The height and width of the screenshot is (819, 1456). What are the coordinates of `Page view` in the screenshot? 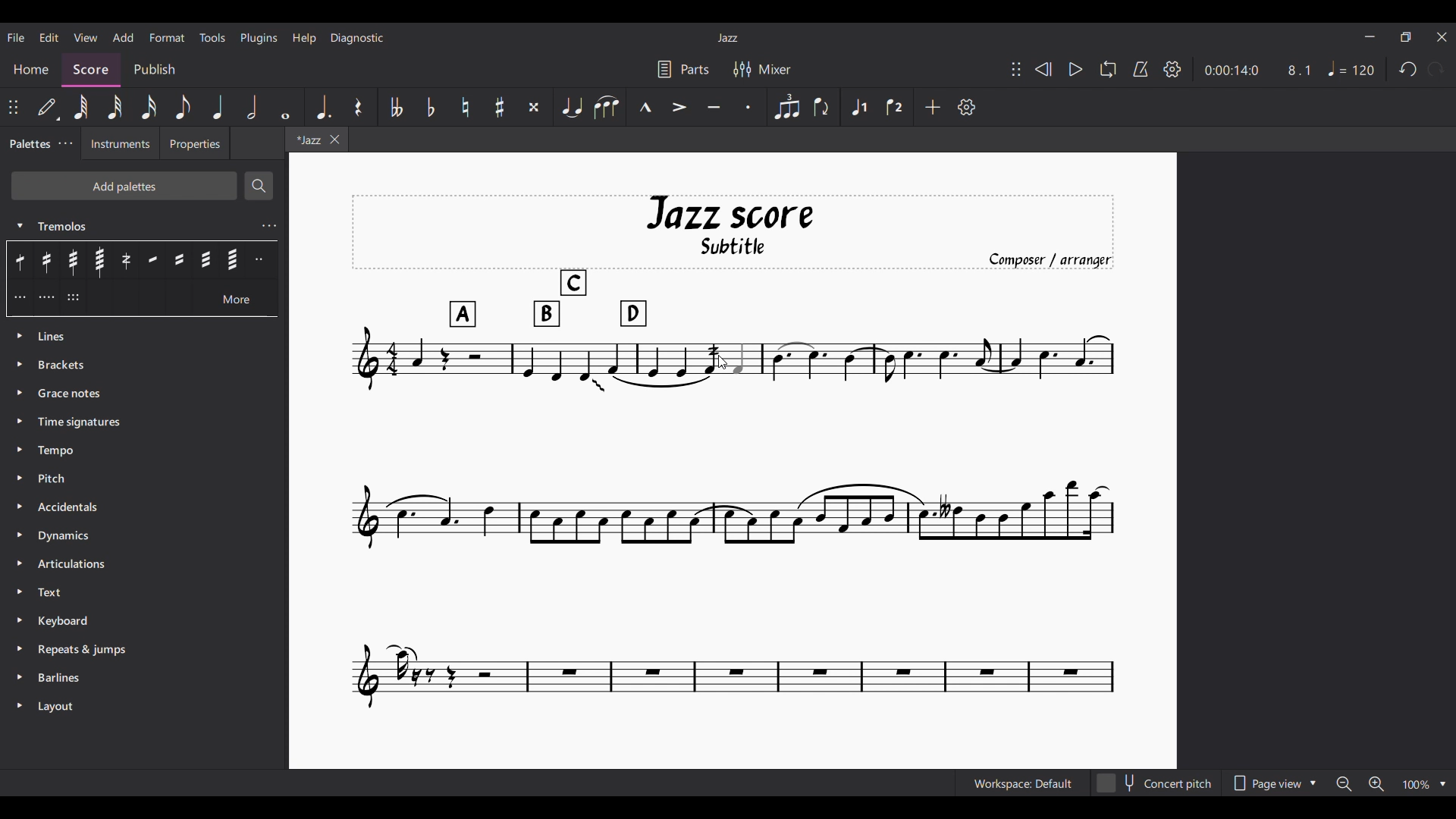 It's located at (1272, 783).